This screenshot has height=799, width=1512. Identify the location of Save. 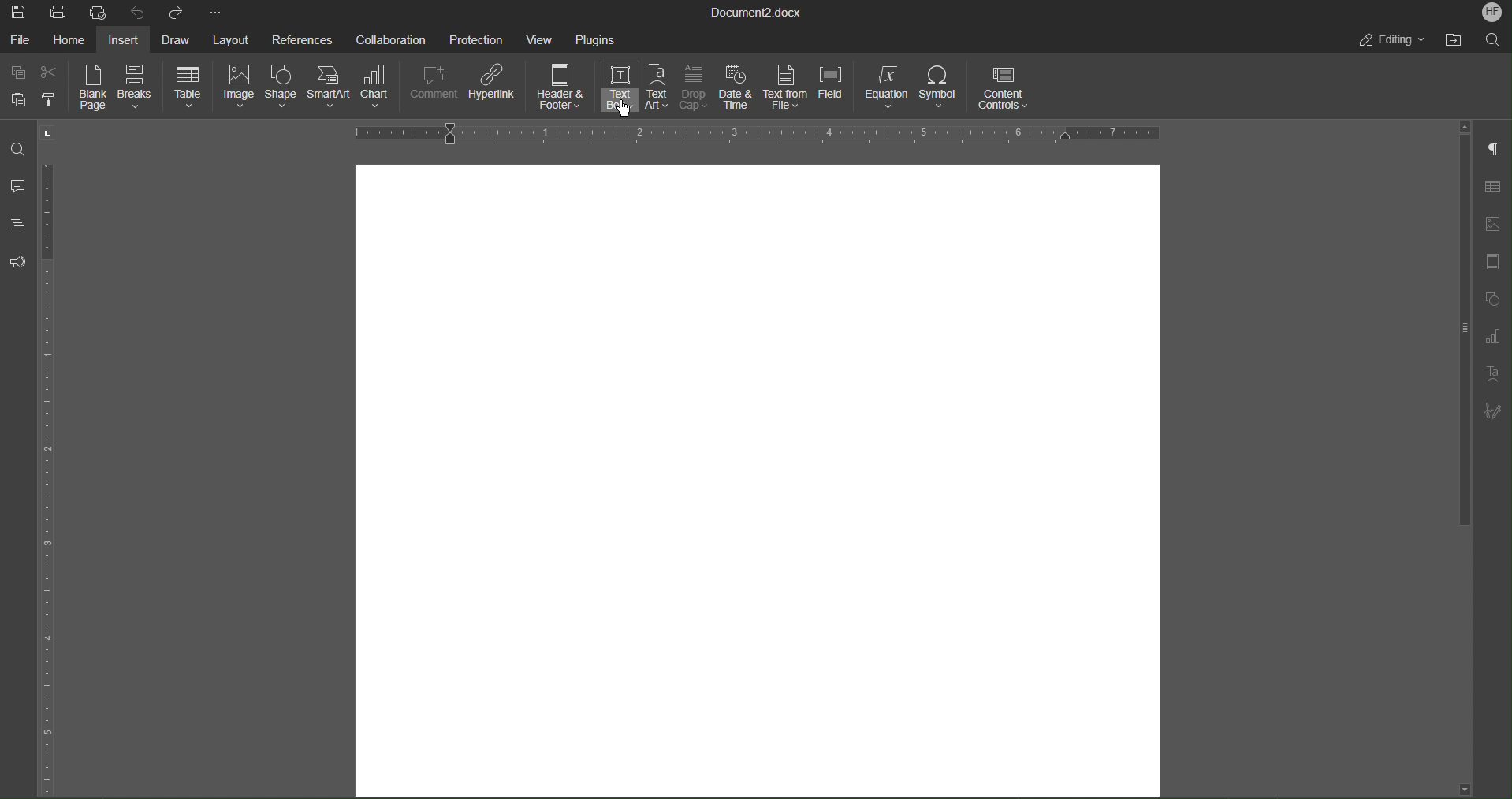
(20, 11).